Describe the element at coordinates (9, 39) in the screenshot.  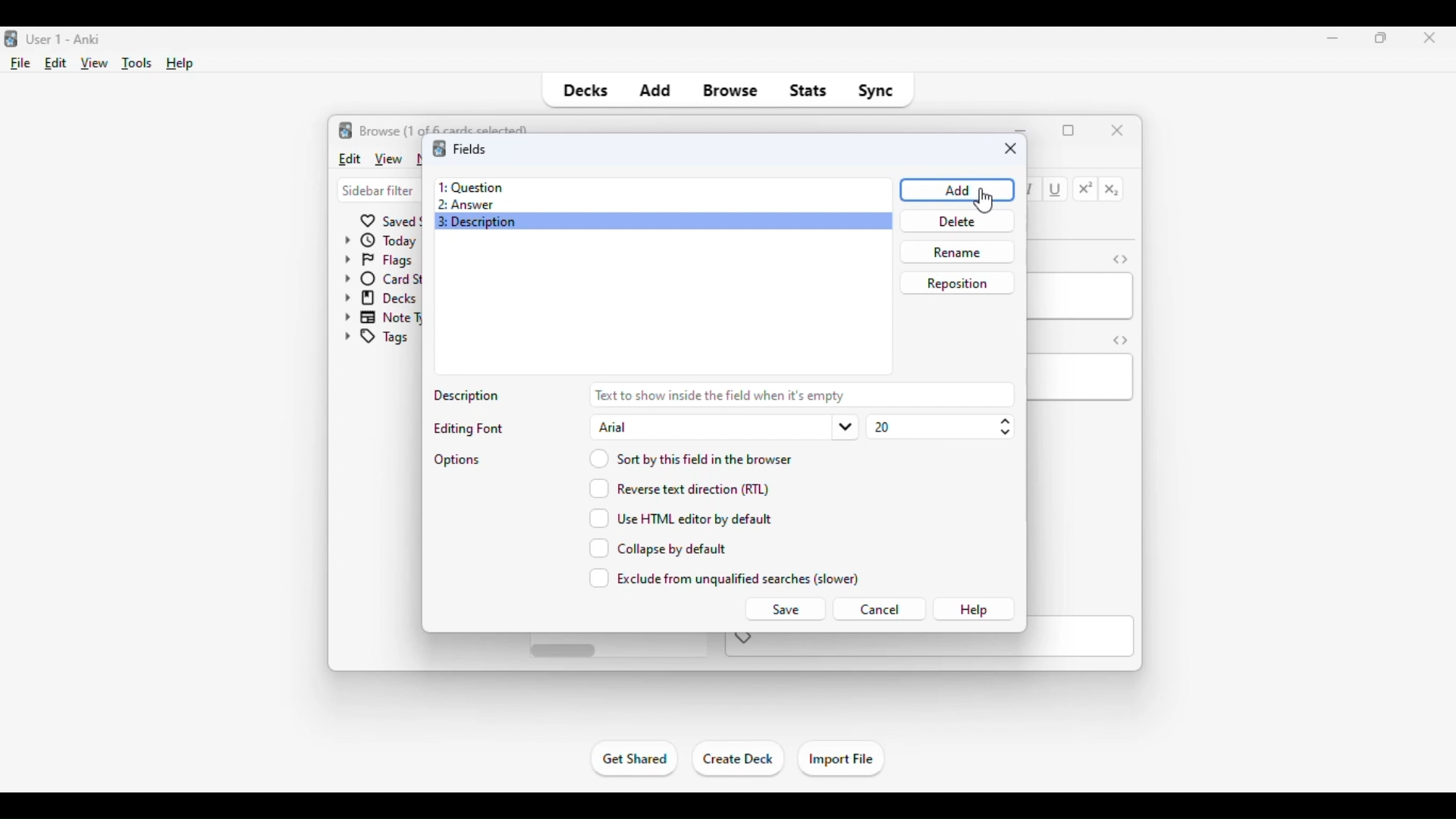
I see `logo` at that location.